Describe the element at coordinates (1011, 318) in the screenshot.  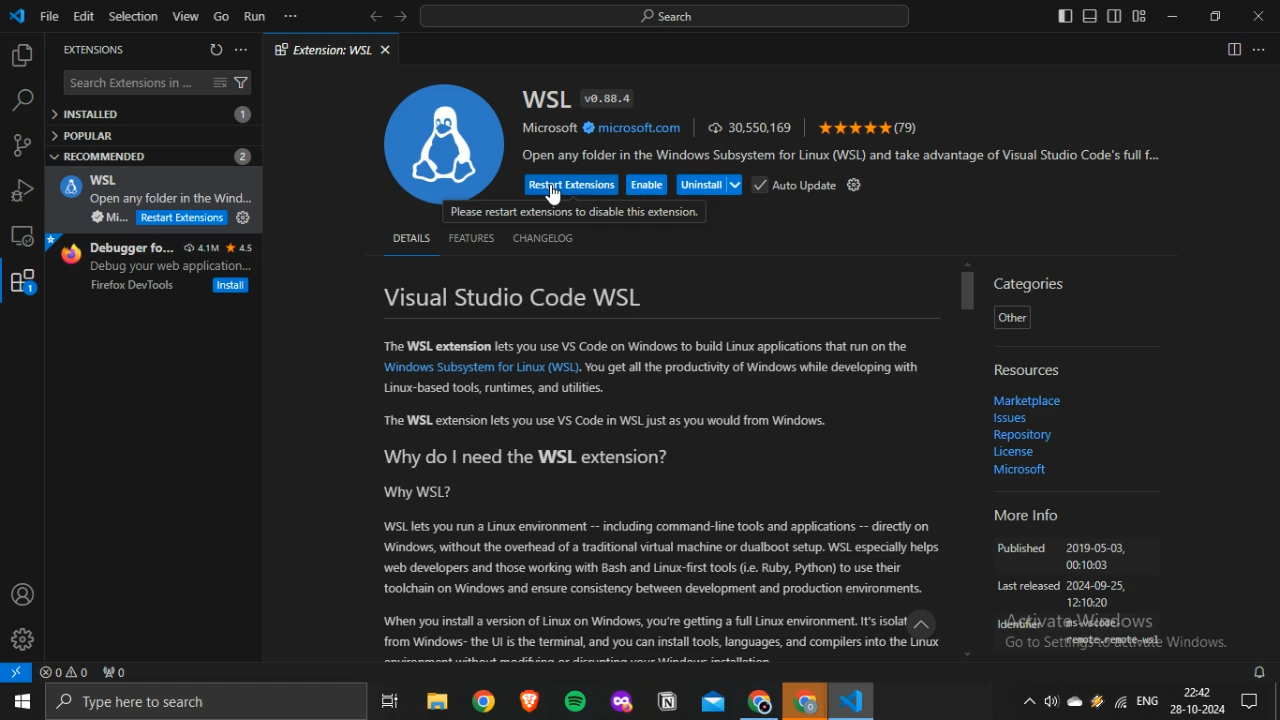
I see `Other` at that location.